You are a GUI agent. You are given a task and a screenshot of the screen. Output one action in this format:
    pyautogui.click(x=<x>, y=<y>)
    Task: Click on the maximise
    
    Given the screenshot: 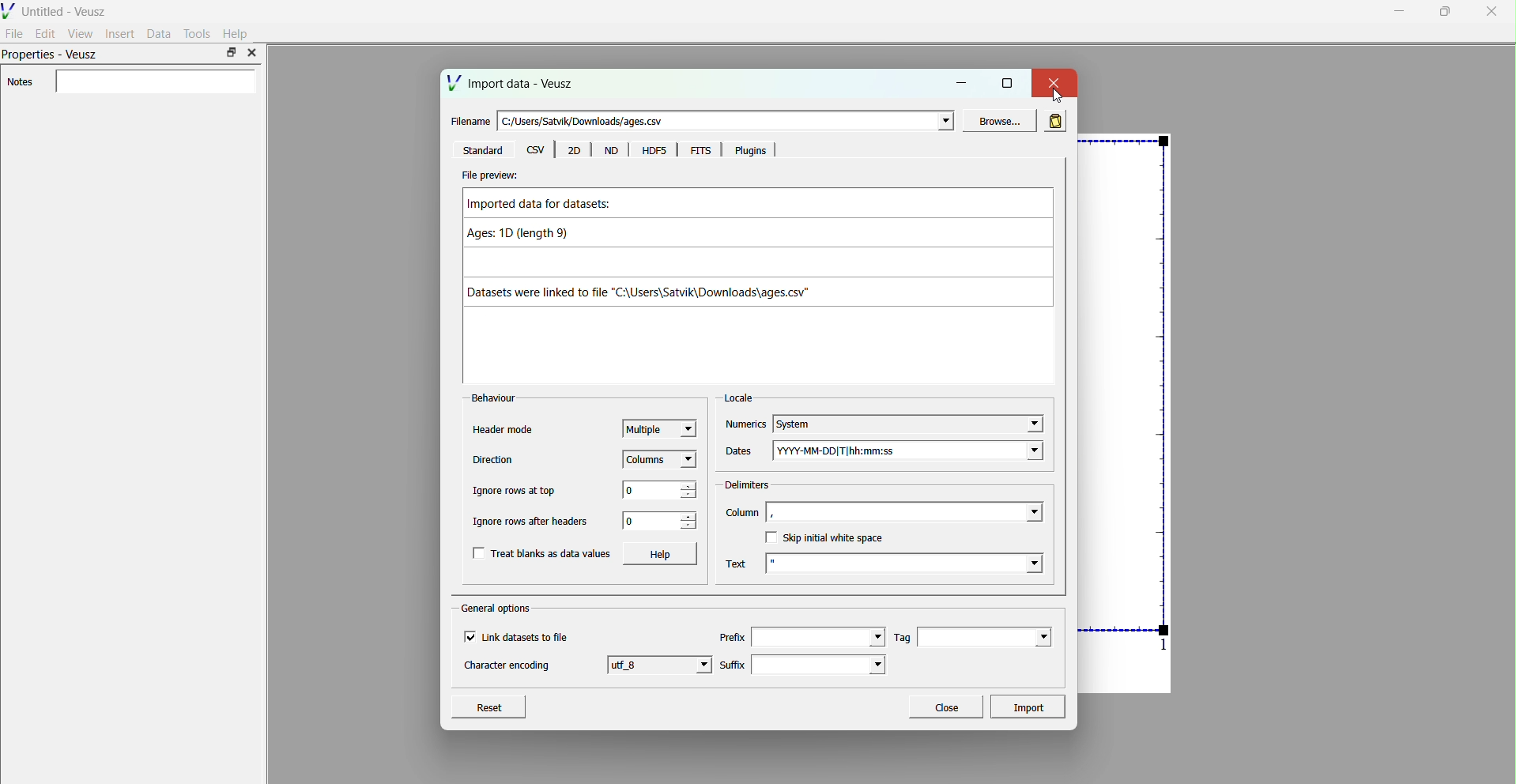 What is the action you would take?
    pyautogui.click(x=1007, y=81)
    